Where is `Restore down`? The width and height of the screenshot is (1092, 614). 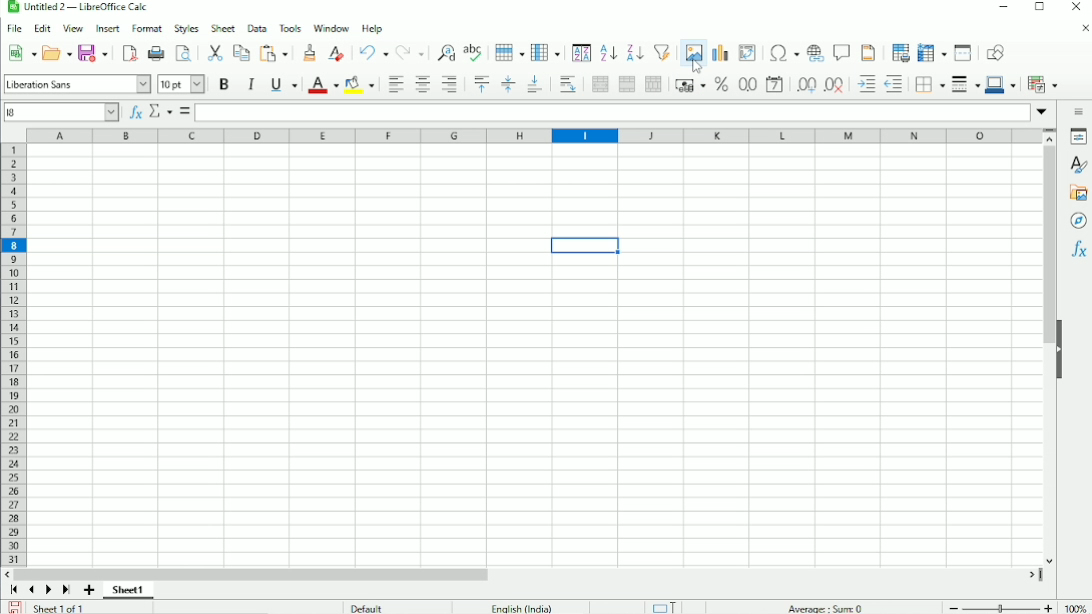 Restore down is located at coordinates (1039, 8).